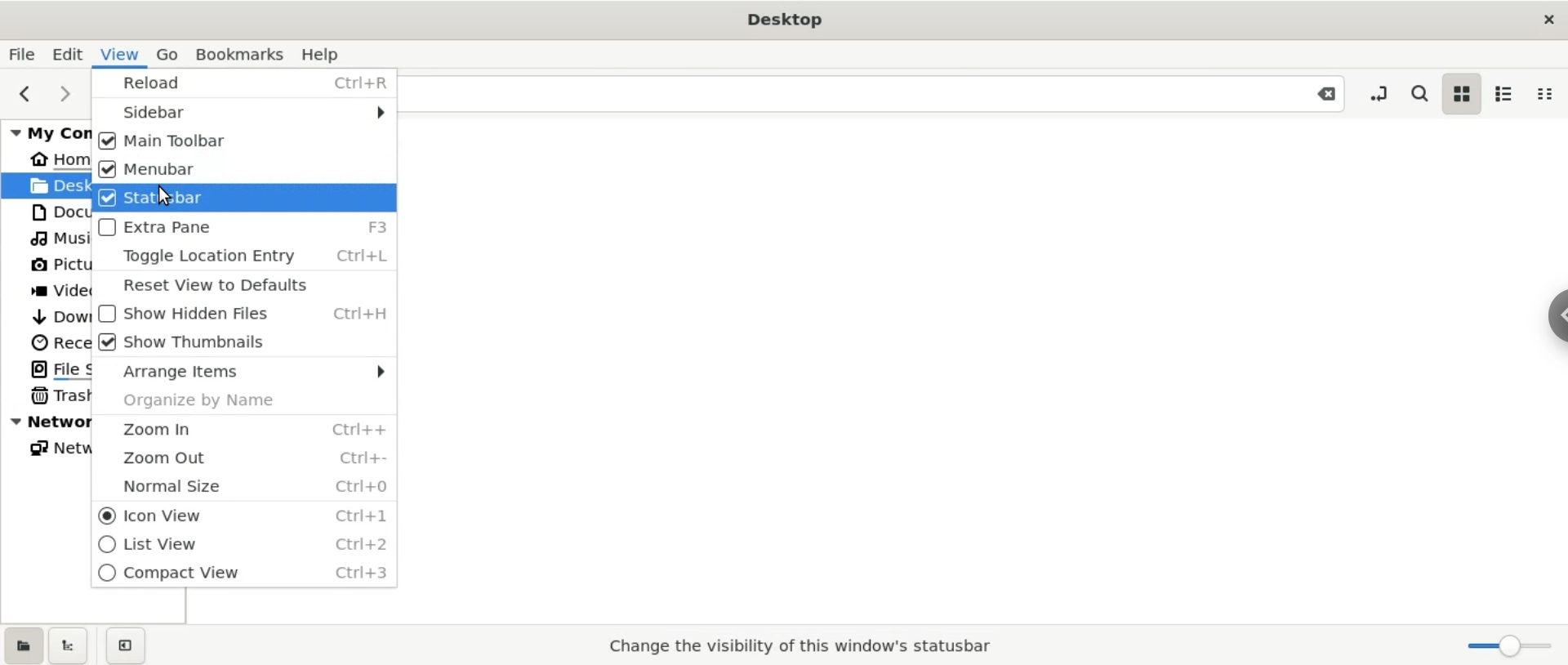 The image size is (1568, 665). I want to click on Go, so click(168, 51).